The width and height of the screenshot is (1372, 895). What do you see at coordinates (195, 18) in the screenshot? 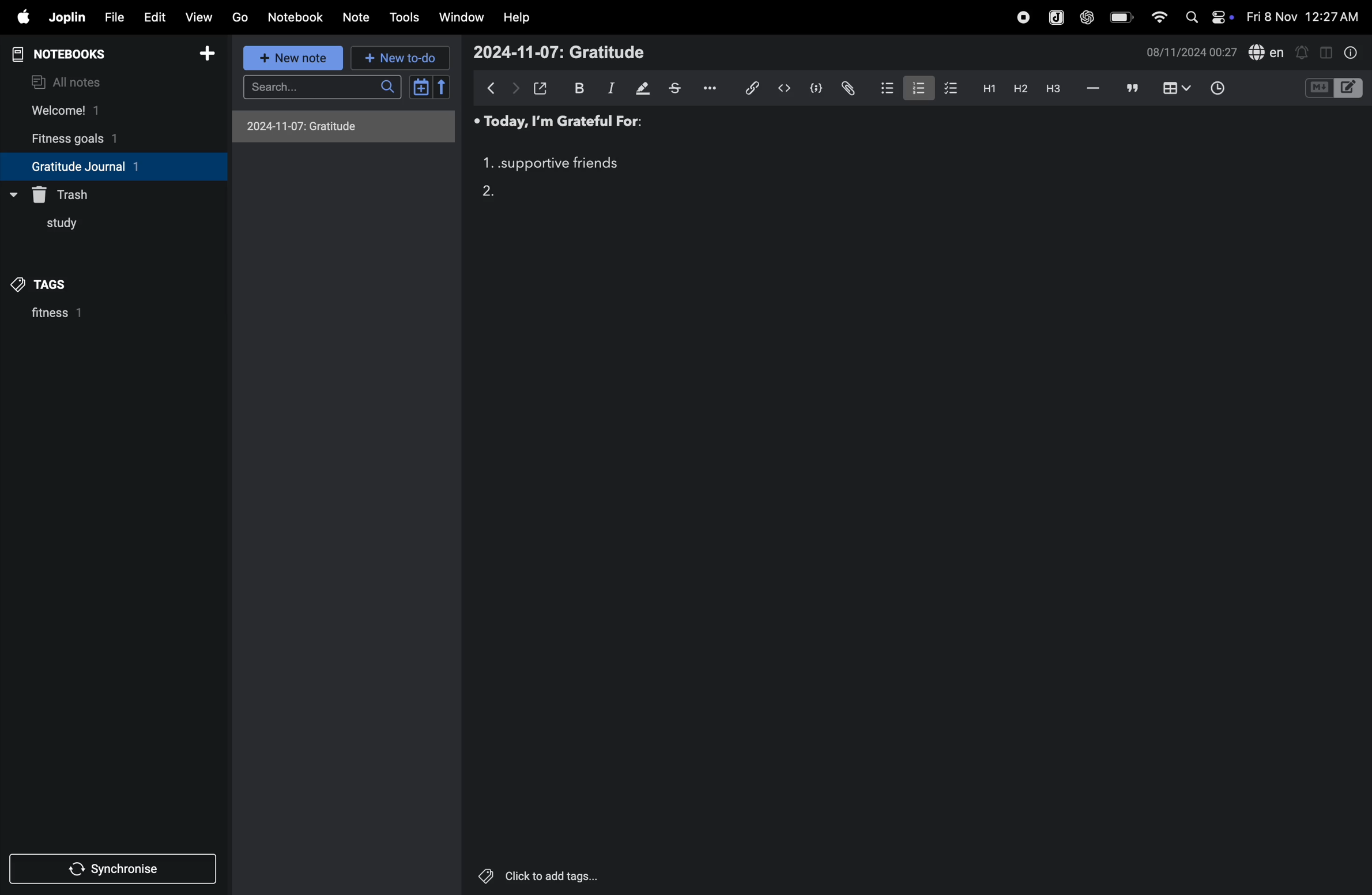
I see `view` at bounding box center [195, 18].